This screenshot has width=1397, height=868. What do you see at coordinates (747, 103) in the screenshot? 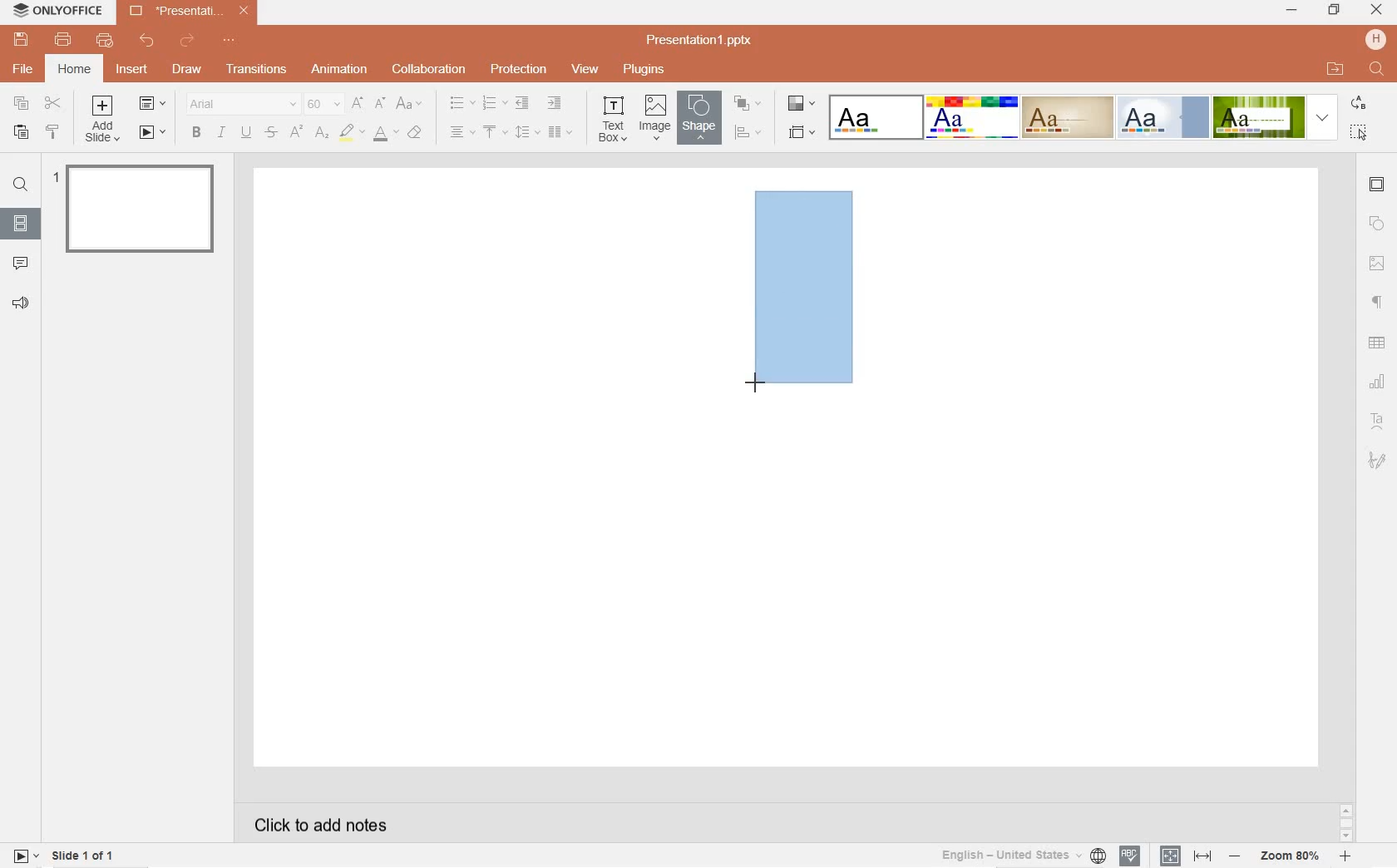
I see `arrange shape` at bounding box center [747, 103].